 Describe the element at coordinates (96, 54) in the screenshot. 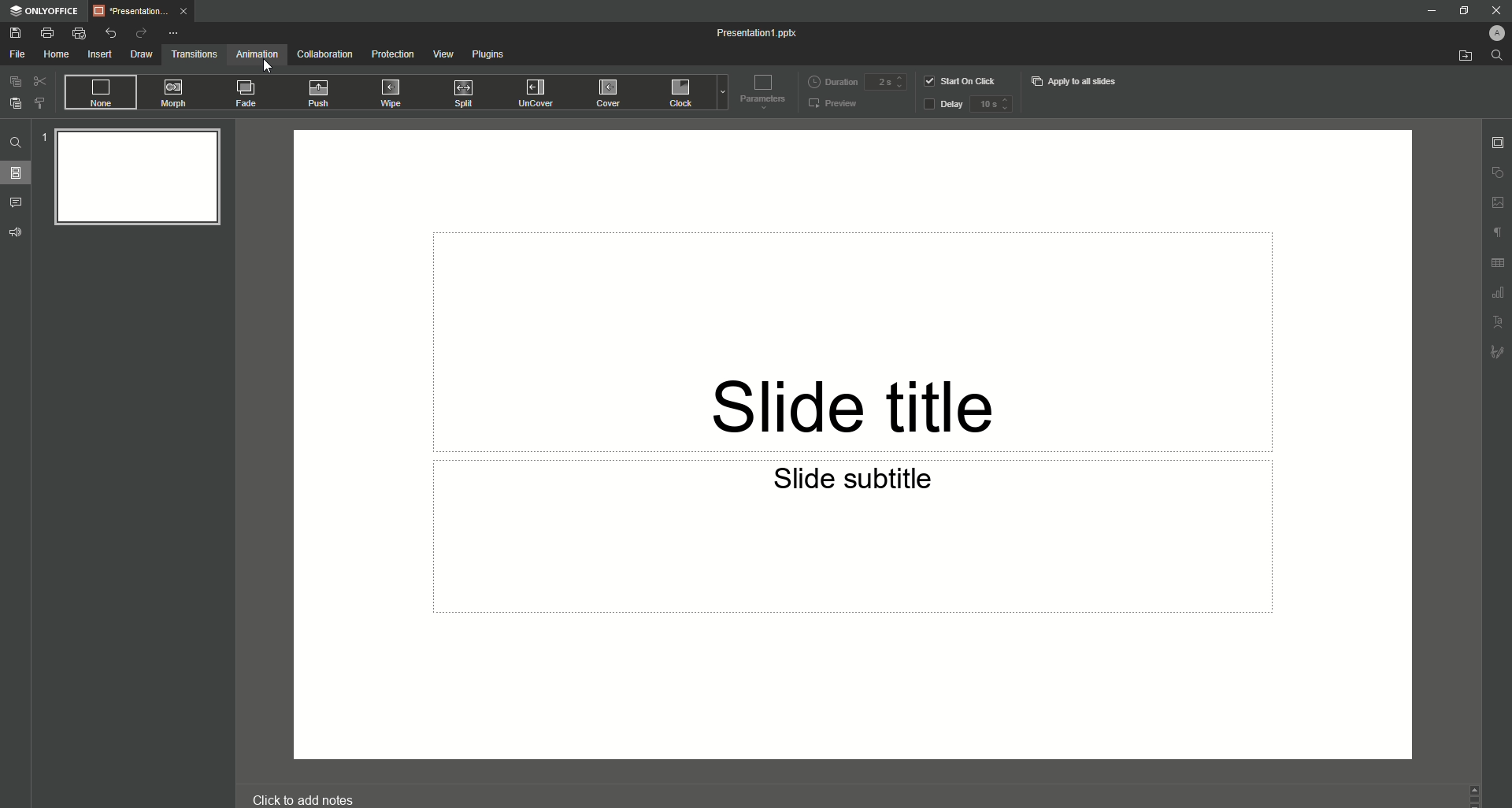

I see `Insert` at that location.